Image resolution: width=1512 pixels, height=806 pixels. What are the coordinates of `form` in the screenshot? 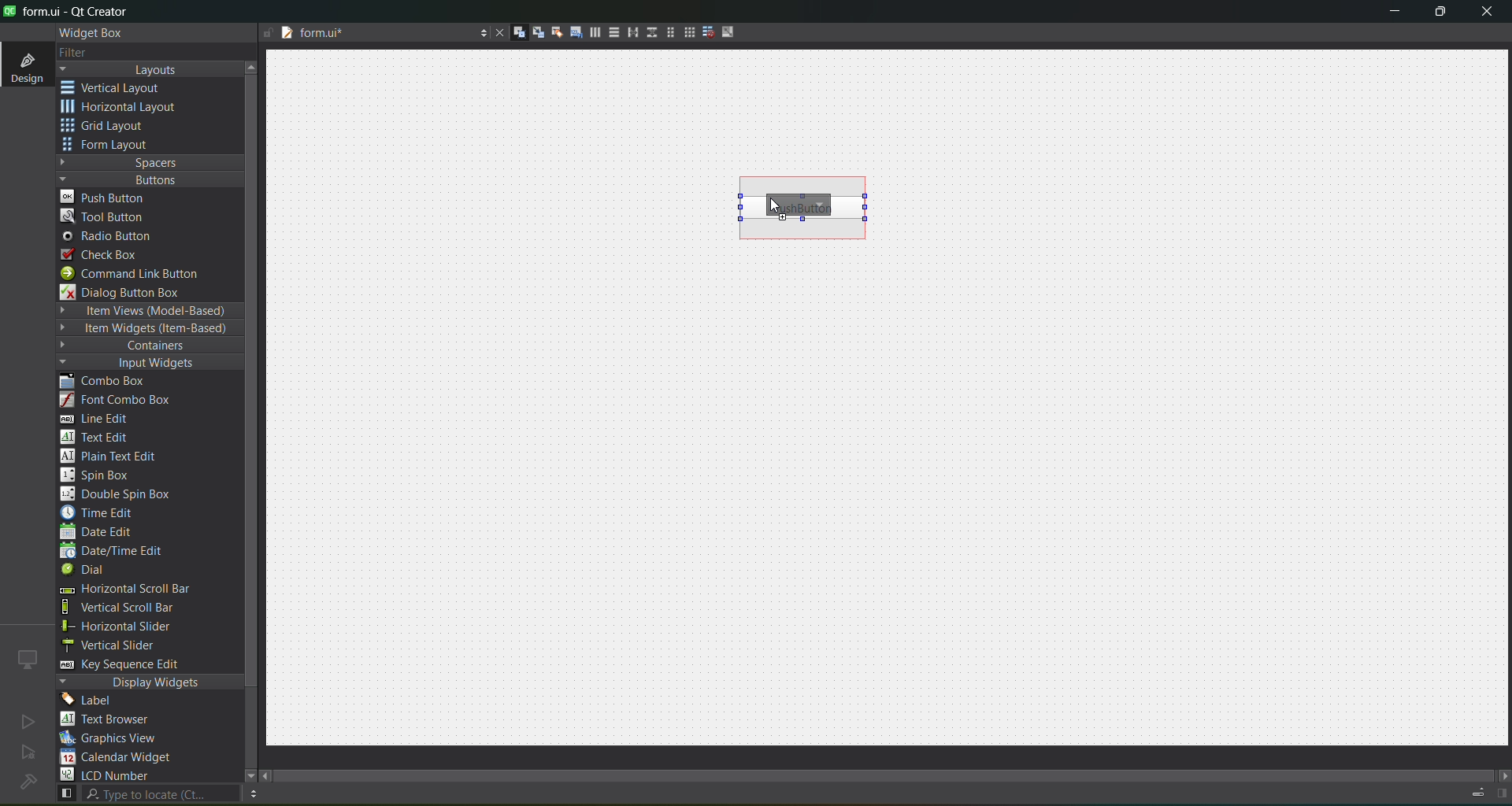 It's located at (110, 145).